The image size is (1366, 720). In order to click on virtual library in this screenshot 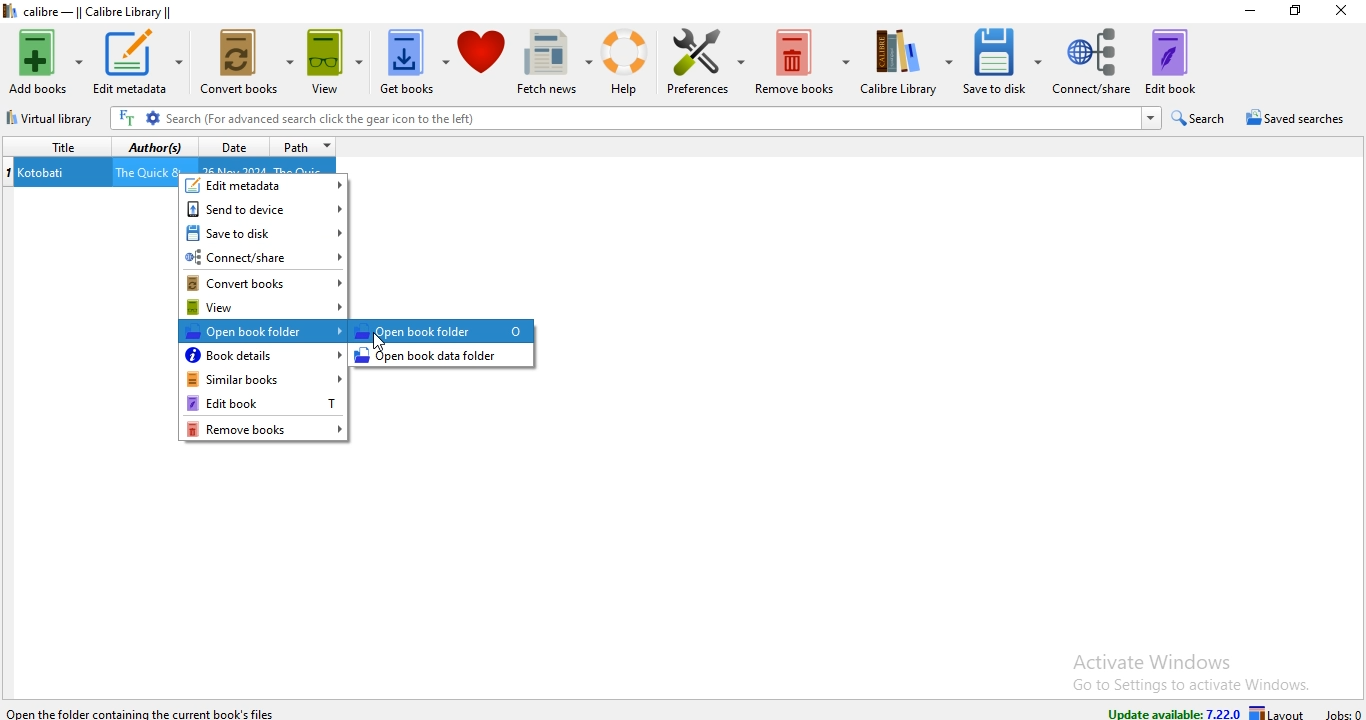, I will do `click(54, 121)`.